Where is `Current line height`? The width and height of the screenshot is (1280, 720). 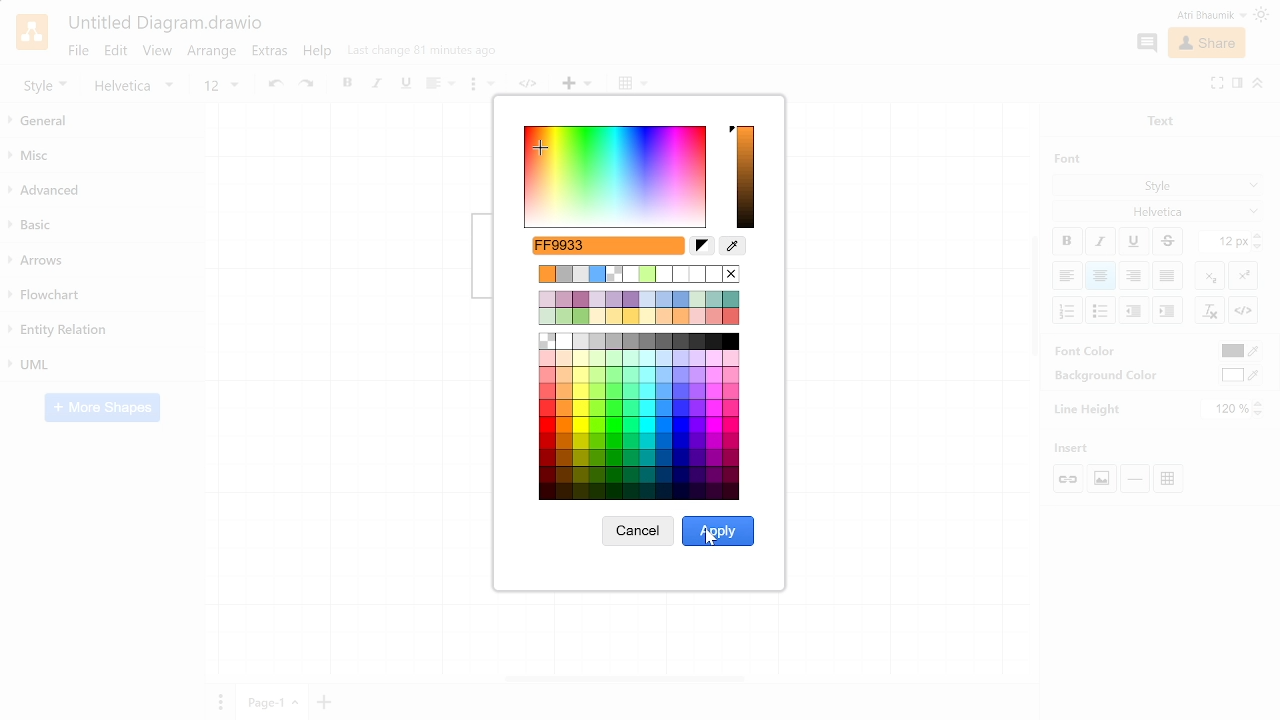
Current line height is located at coordinates (1227, 409).